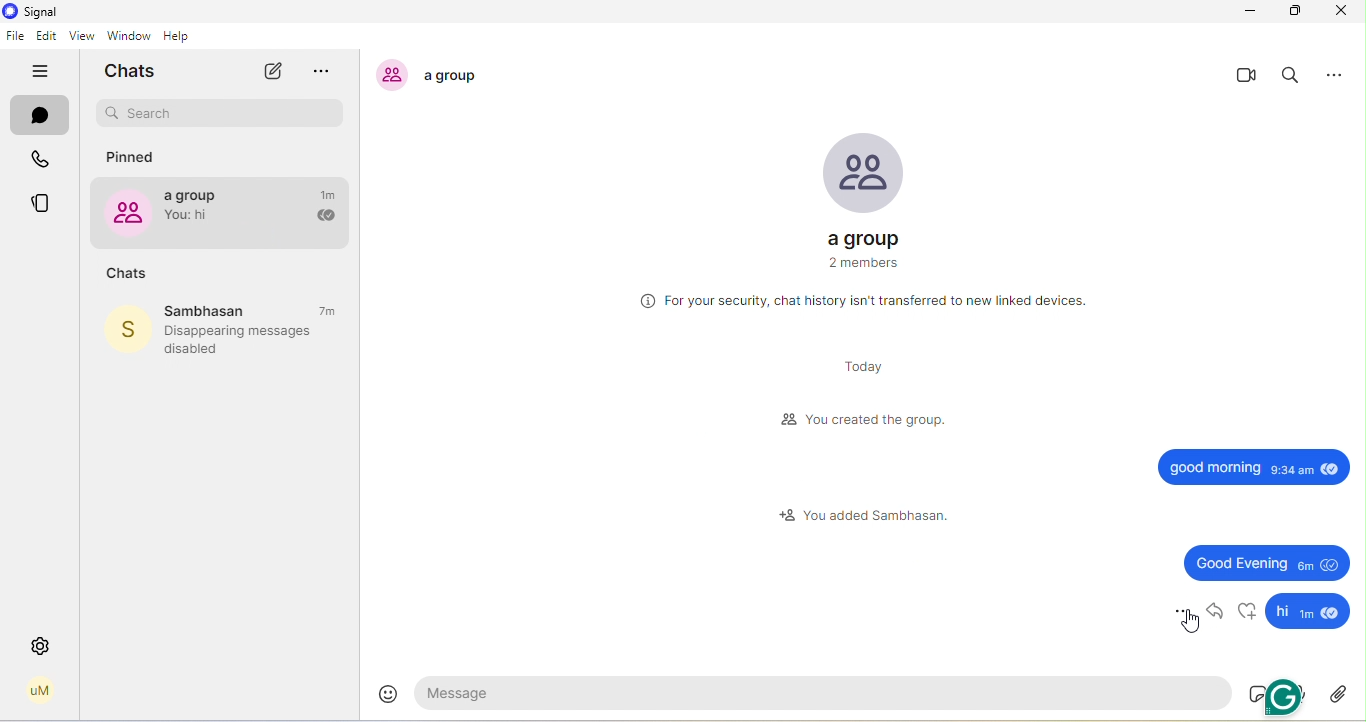 Image resolution: width=1366 pixels, height=722 pixels. I want to click on reply, so click(1216, 611).